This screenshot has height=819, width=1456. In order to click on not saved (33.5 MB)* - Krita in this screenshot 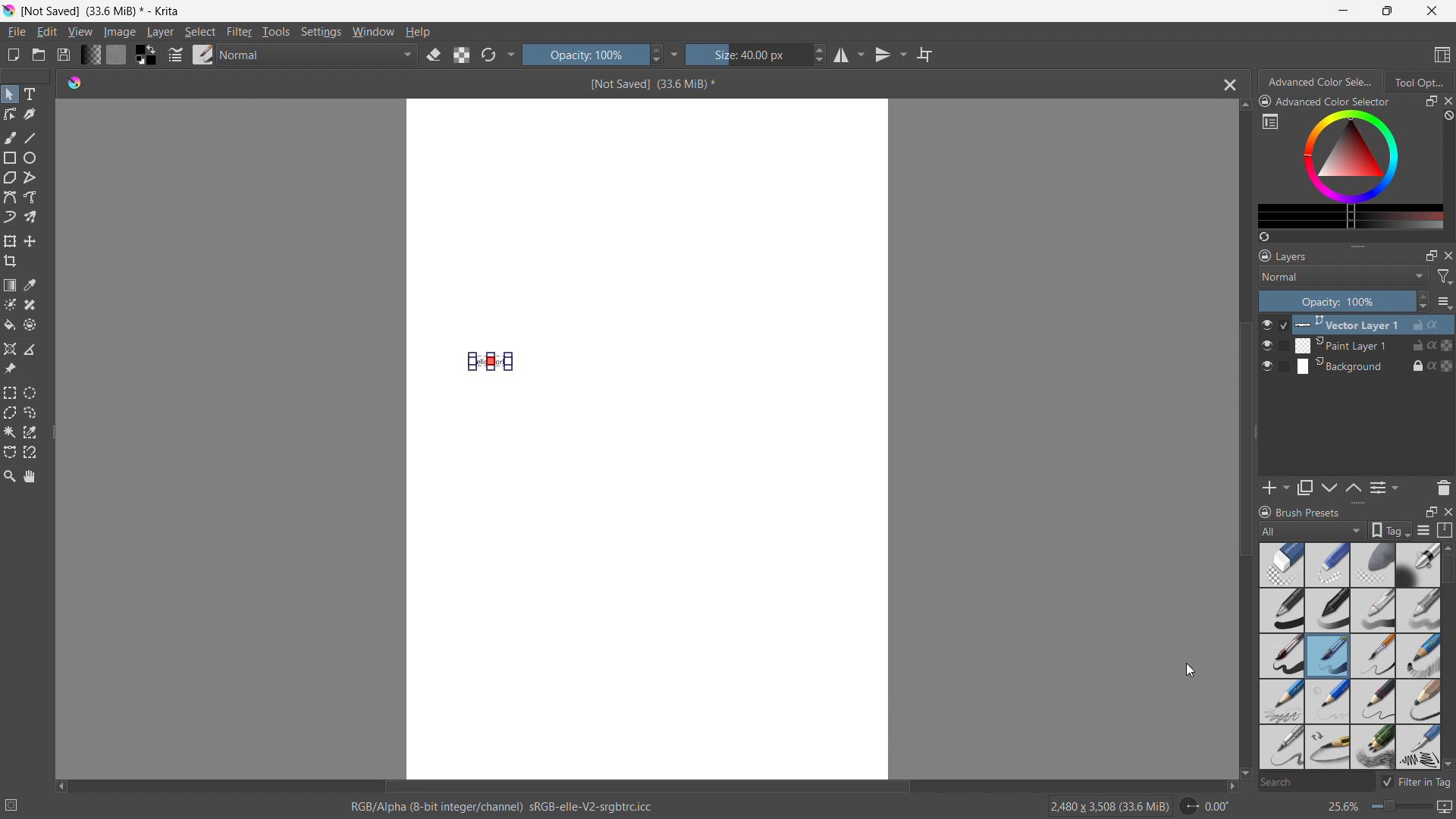, I will do `click(104, 10)`.